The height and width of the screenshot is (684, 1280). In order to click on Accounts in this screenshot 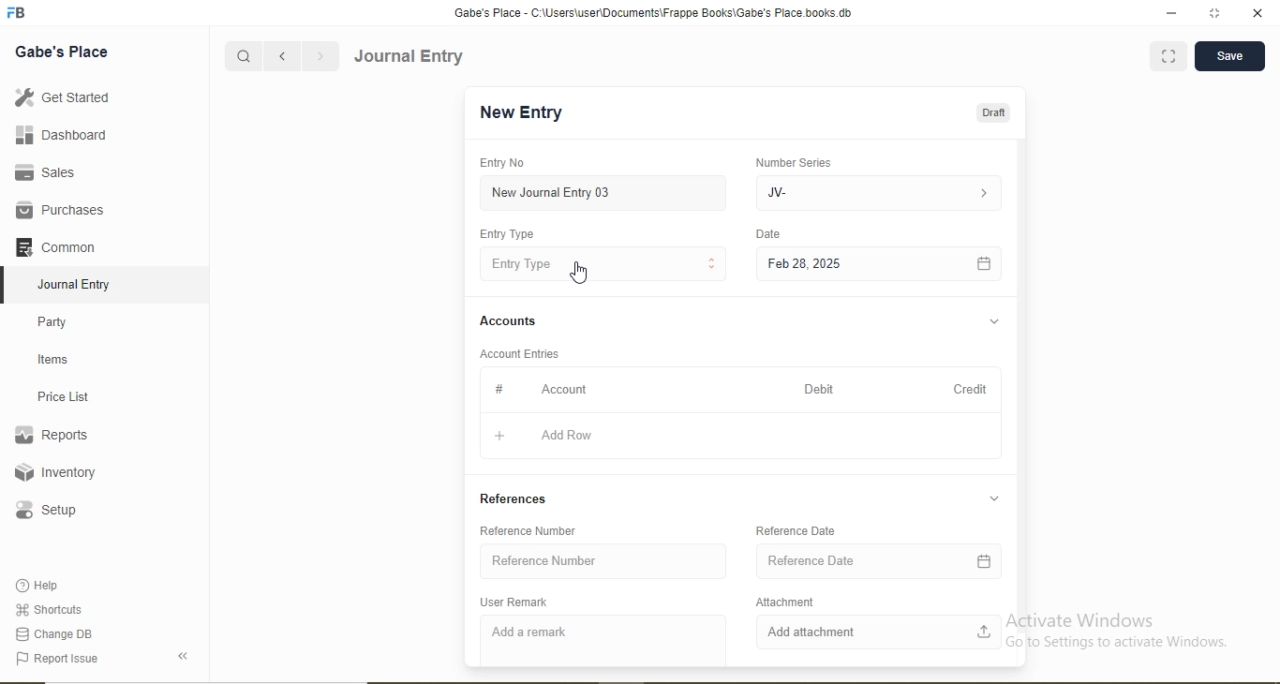, I will do `click(508, 320)`.